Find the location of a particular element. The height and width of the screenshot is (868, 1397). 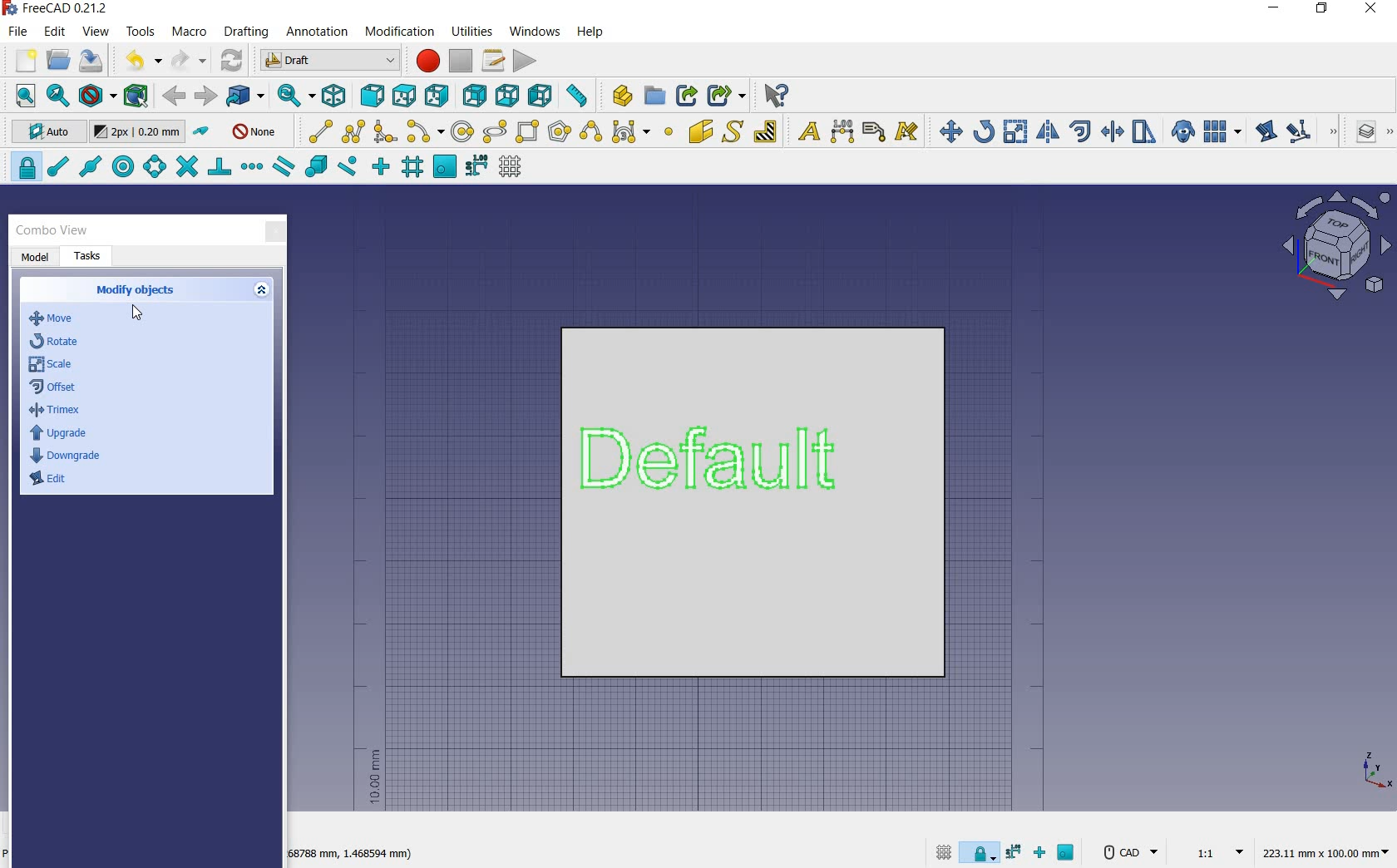

rectangle is located at coordinates (529, 133).